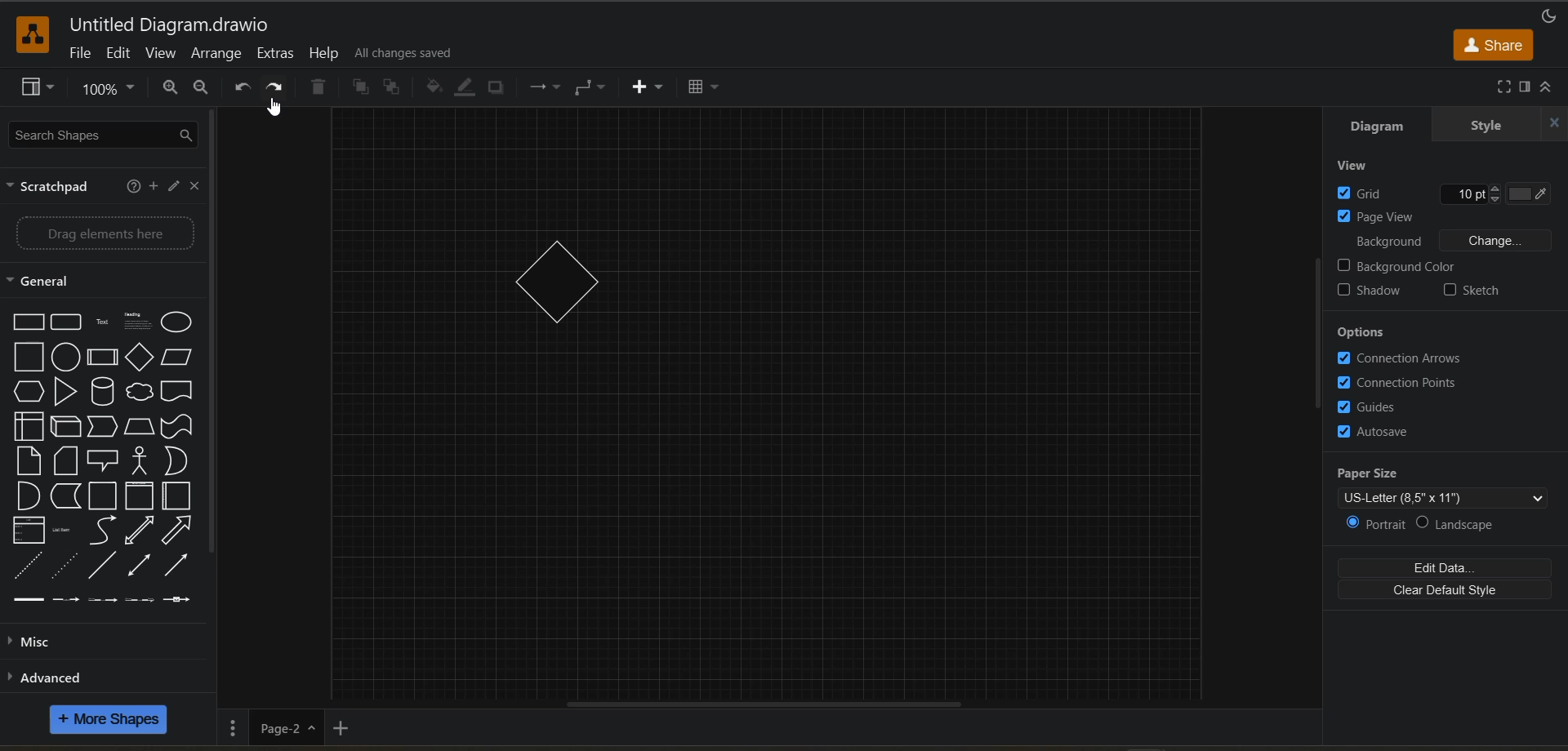  Describe the element at coordinates (140, 600) in the screenshot. I see `connector with 3 labels` at that location.